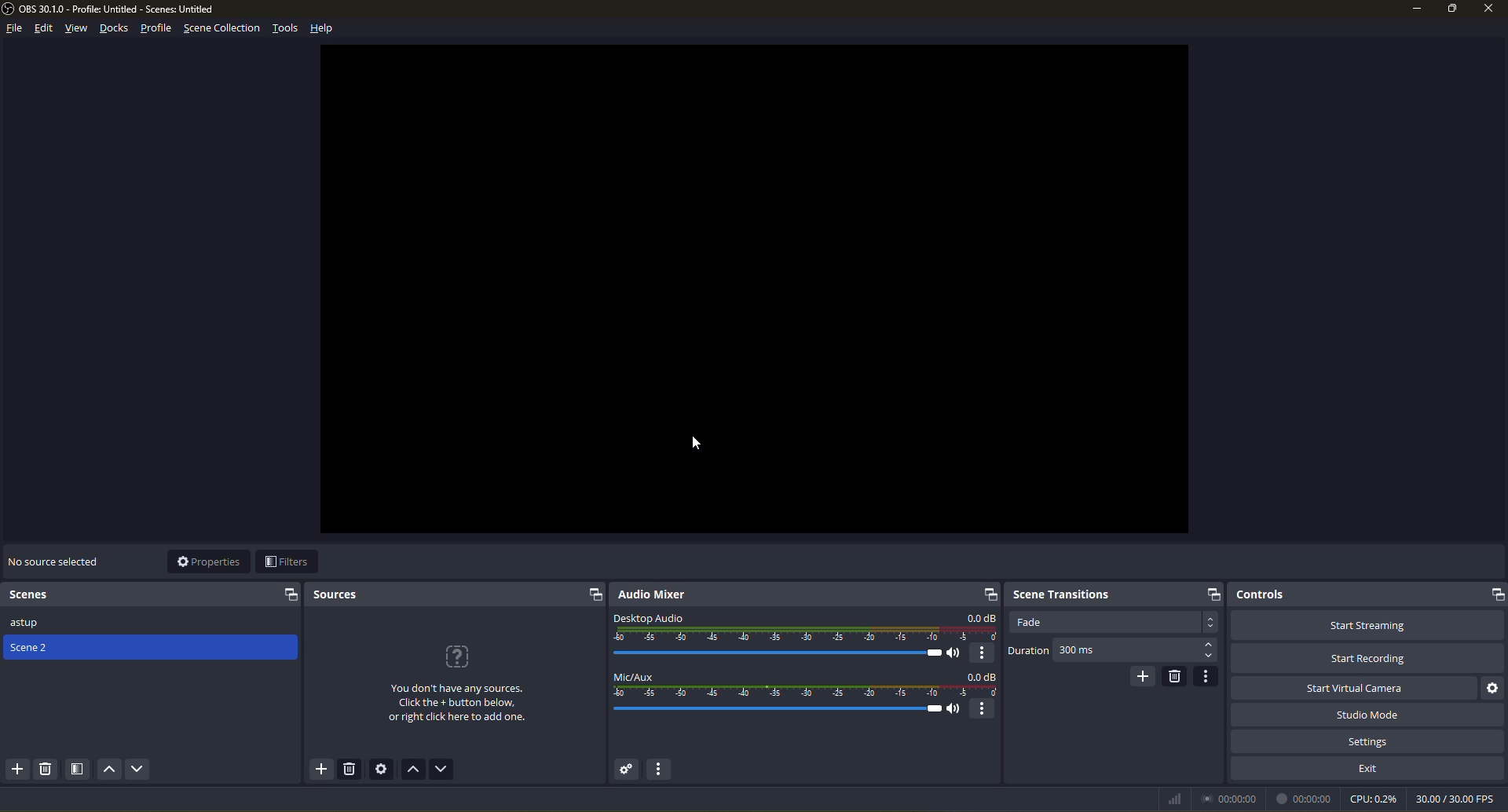 This screenshot has width=1508, height=812. Describe the element at coordinates (17, 769) in the screenshot. I see `add scenes` at that location.